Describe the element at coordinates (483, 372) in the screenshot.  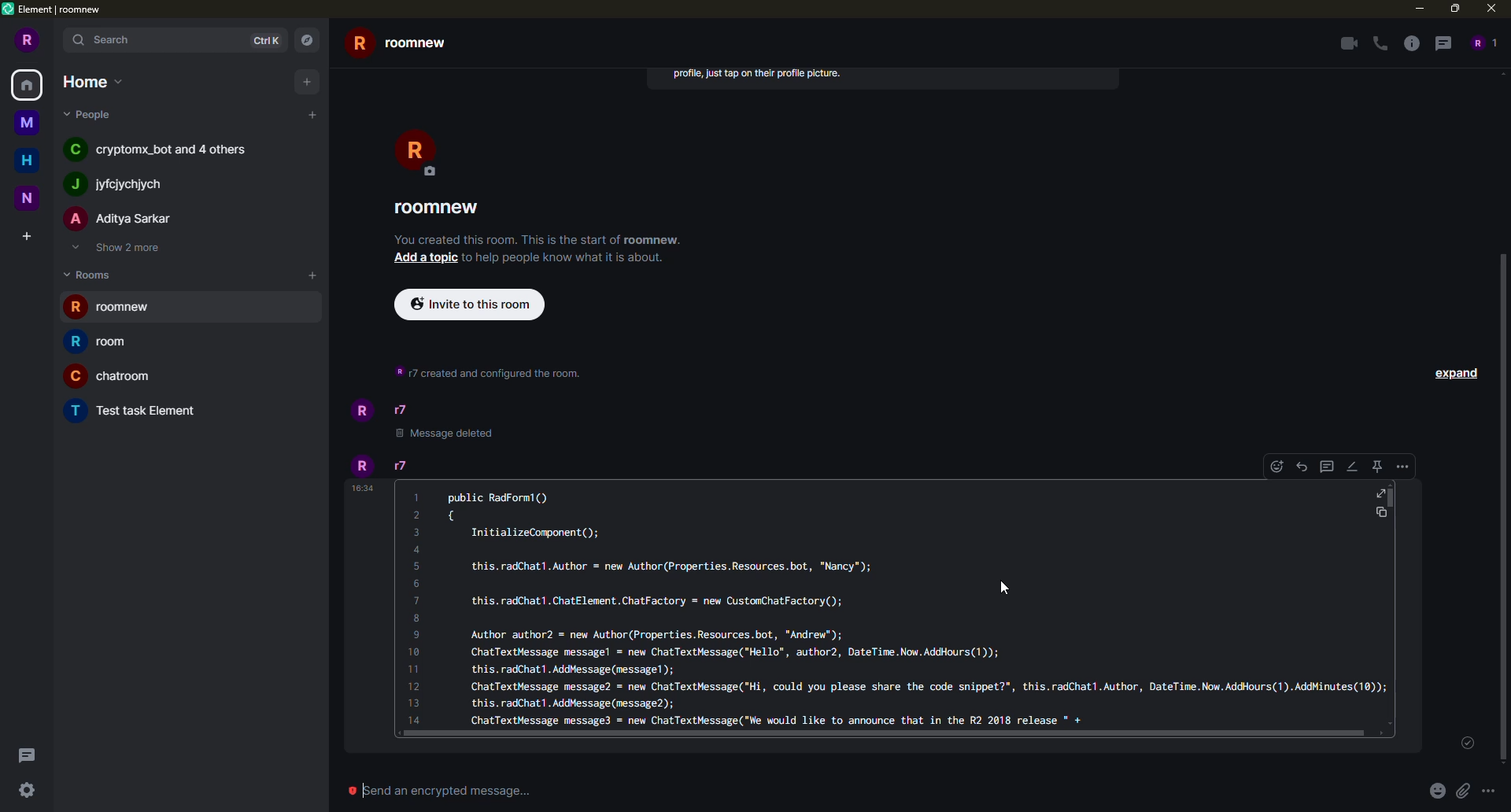
I see `info` at that location.